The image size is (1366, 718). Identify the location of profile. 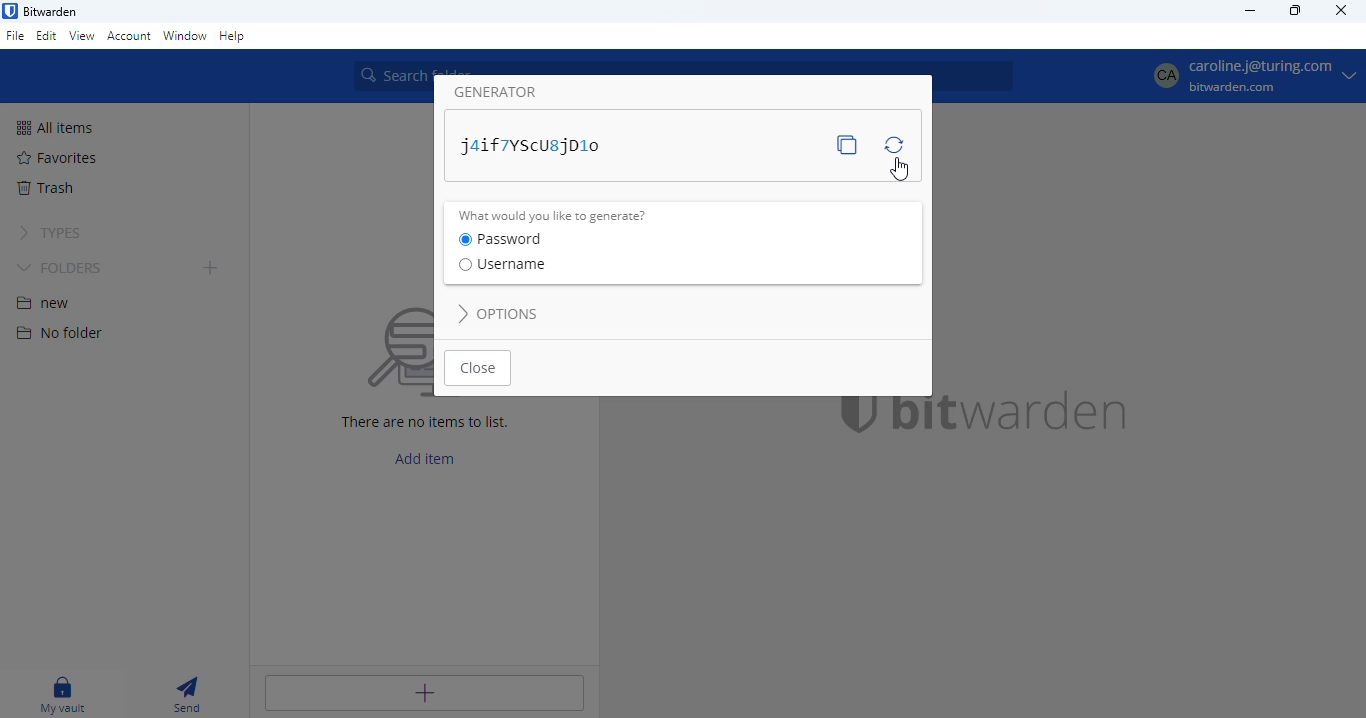
(1253, 75).